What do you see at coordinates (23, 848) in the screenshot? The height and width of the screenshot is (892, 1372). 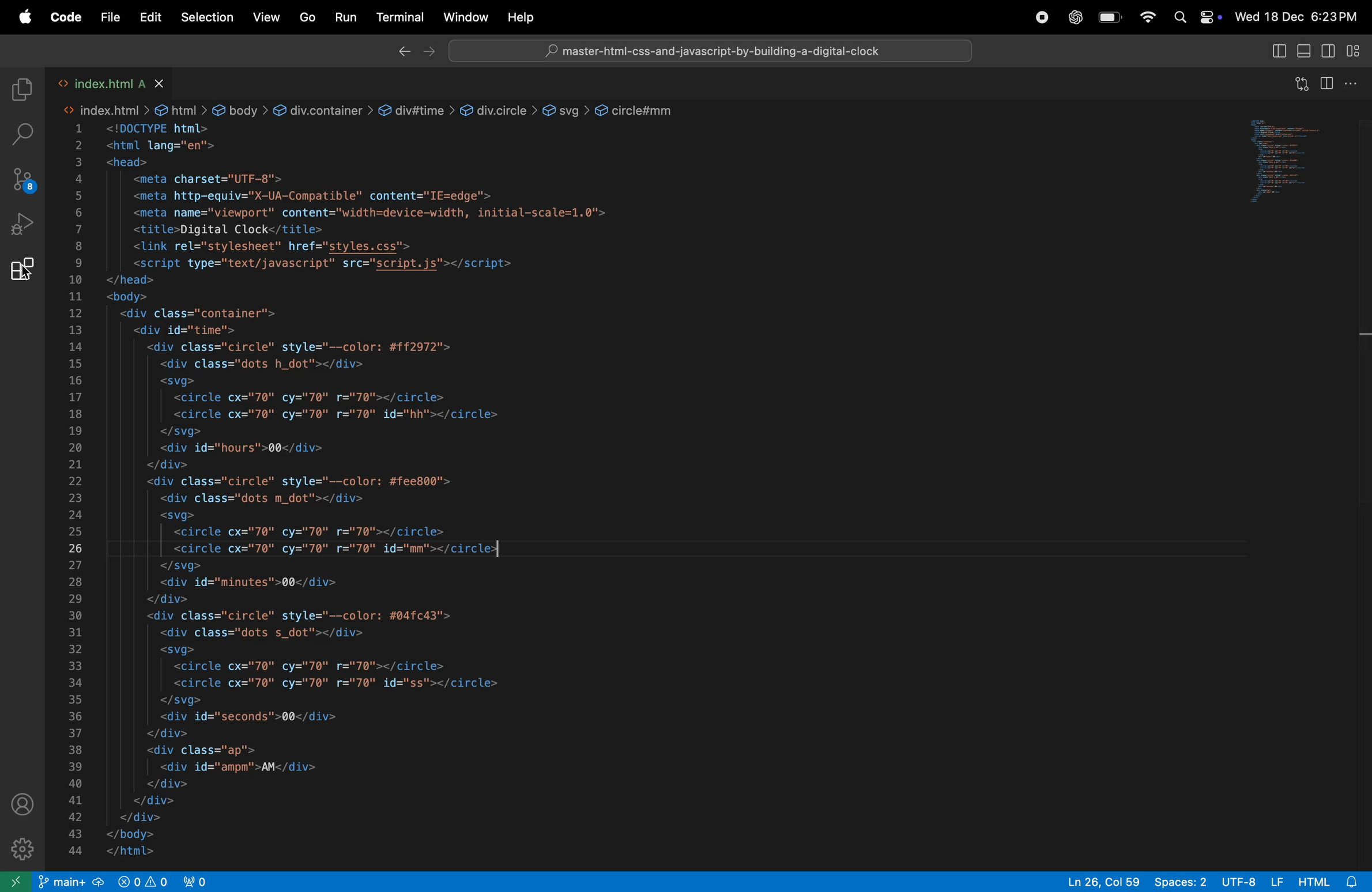 I see `settings` at bounding box center [23, 848].